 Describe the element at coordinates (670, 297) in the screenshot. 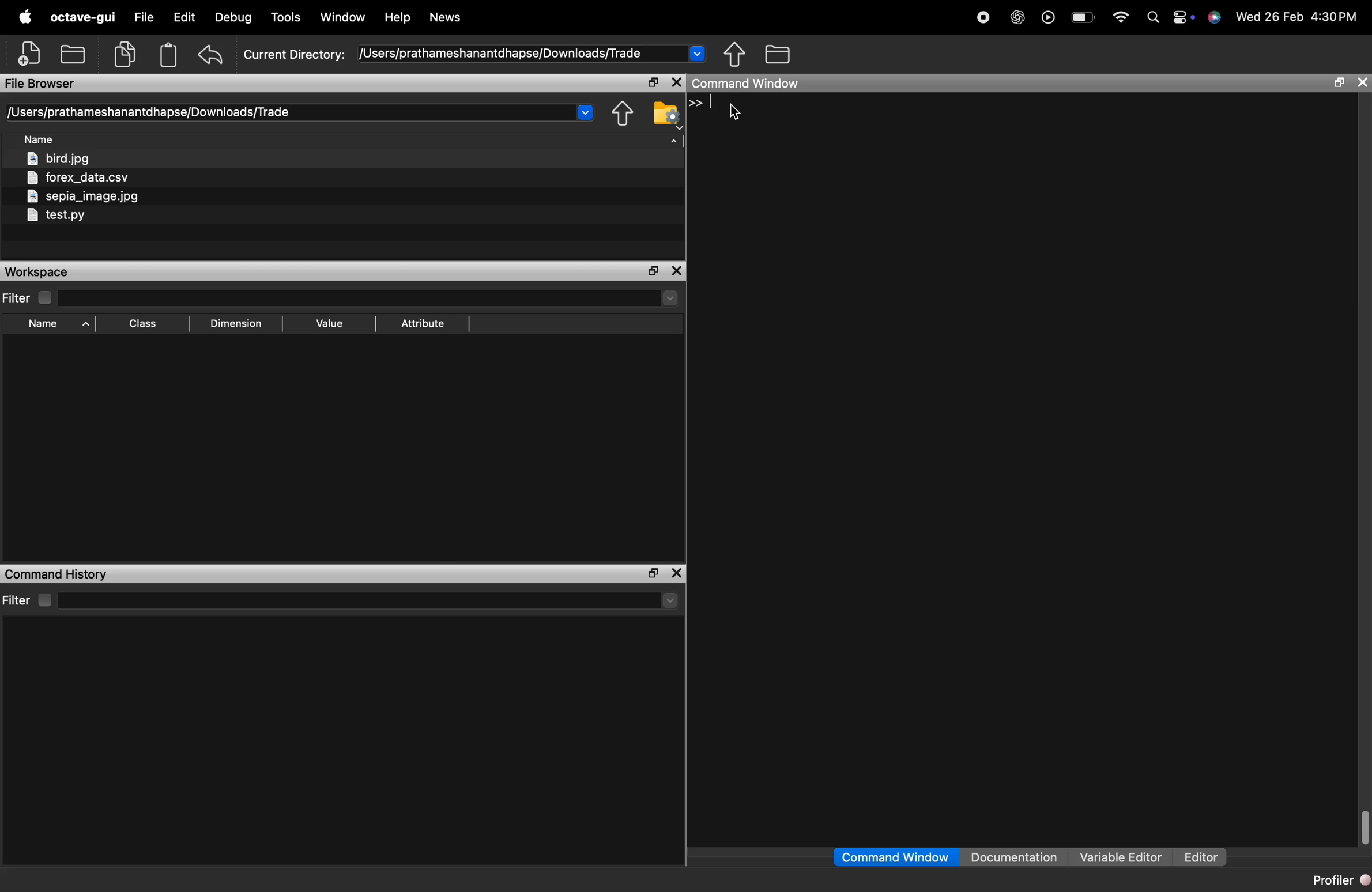

I see `Drop-down ` at that location.